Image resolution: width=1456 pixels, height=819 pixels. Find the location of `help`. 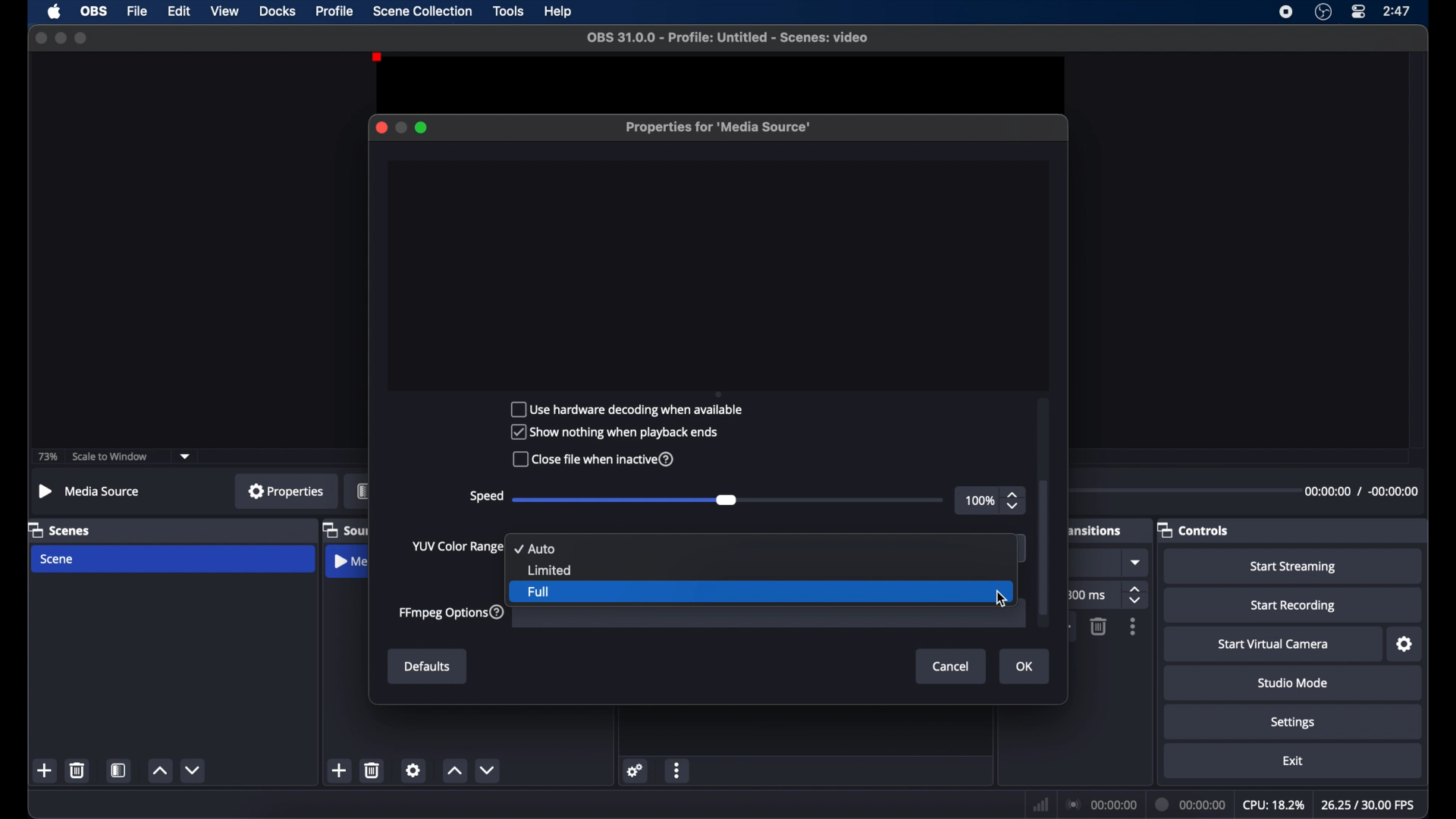

help is located at coordinates (559, 12).